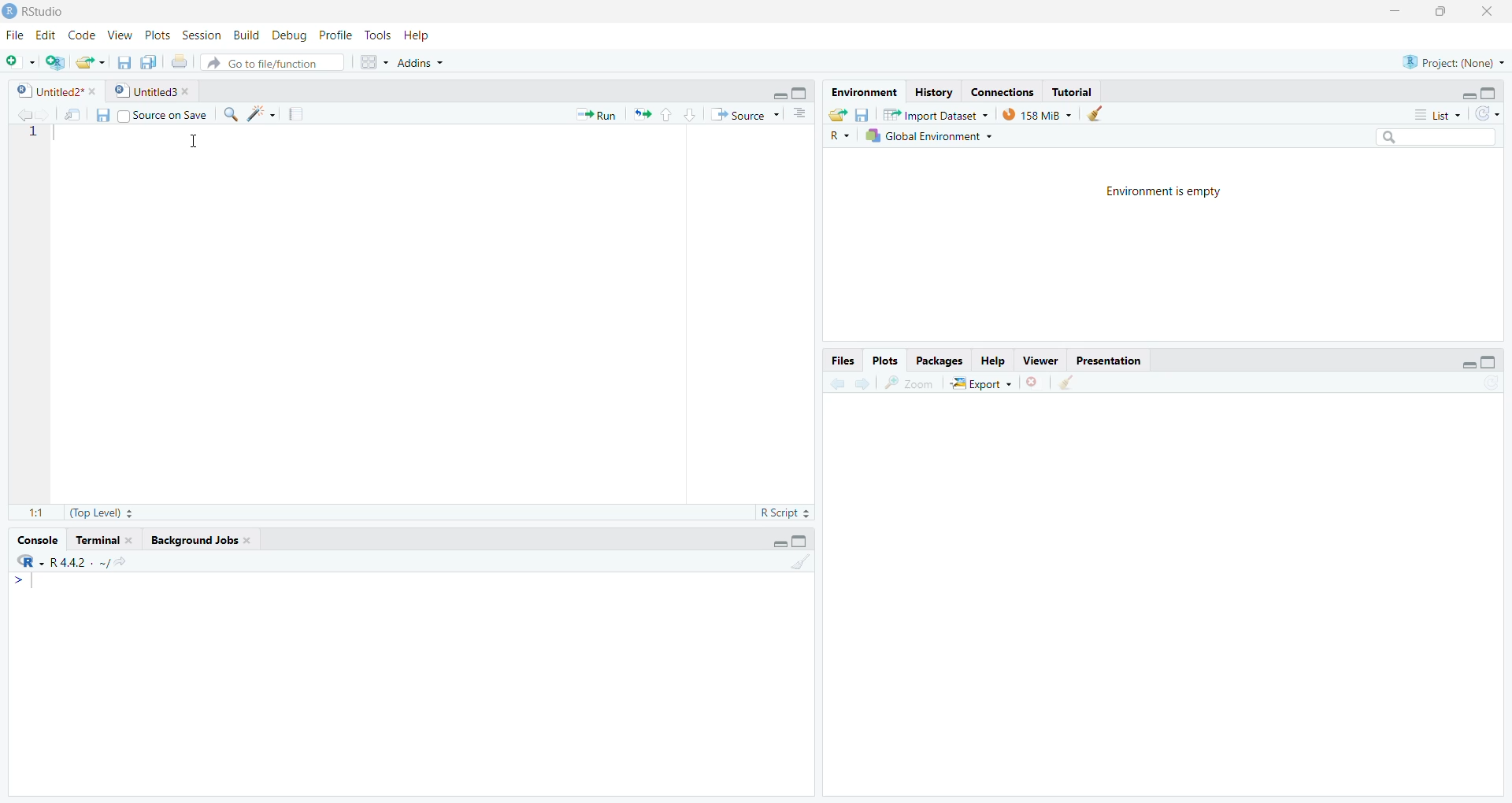 Image resolution: width=1512 pixels, height=803 pixels. What do you see at coordinates (1492, 12) in the screenshot?
I see `close` at bounding box center [1492, 12].